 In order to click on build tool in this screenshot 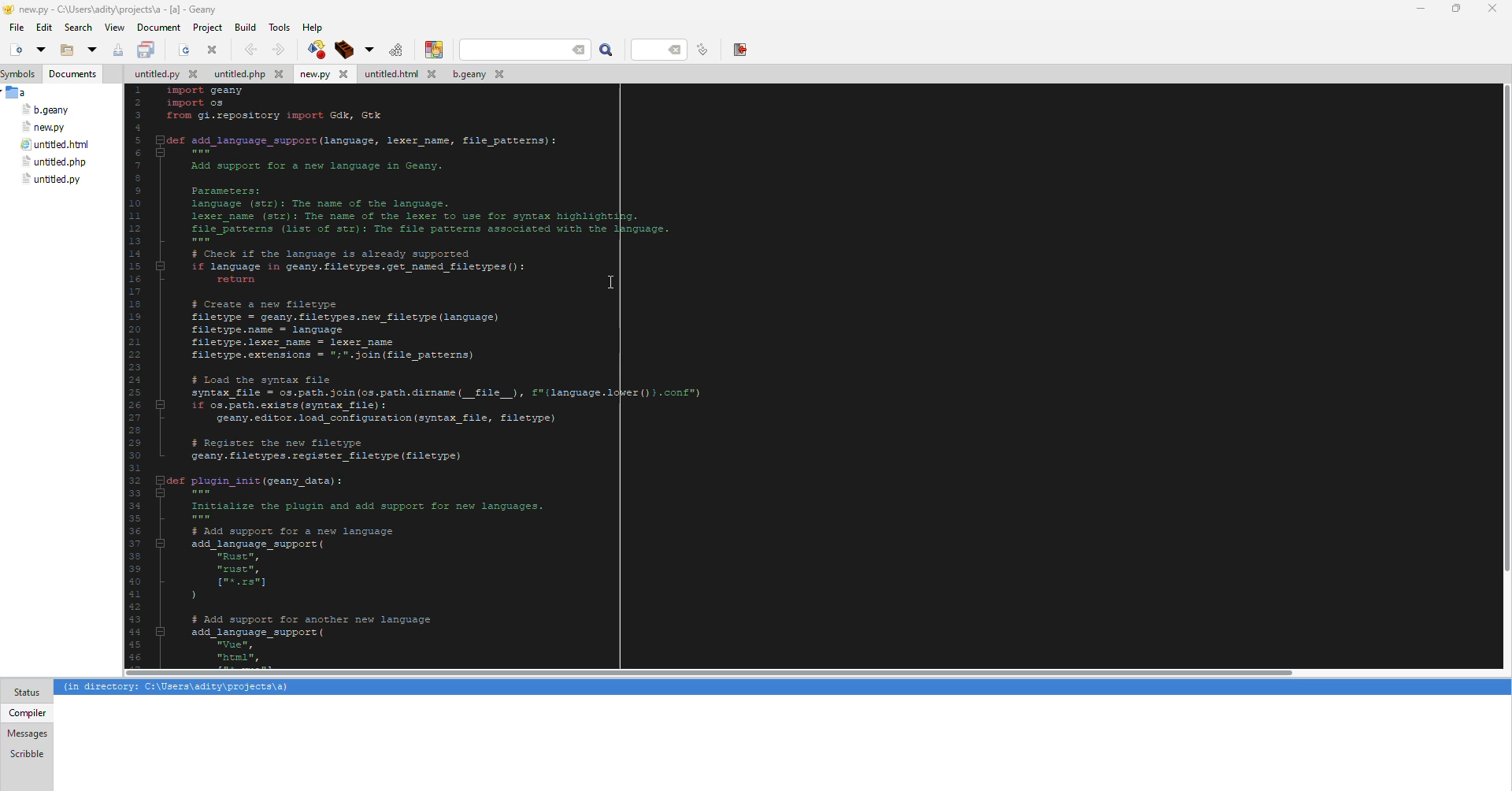, I will do `click(370, 50)`.